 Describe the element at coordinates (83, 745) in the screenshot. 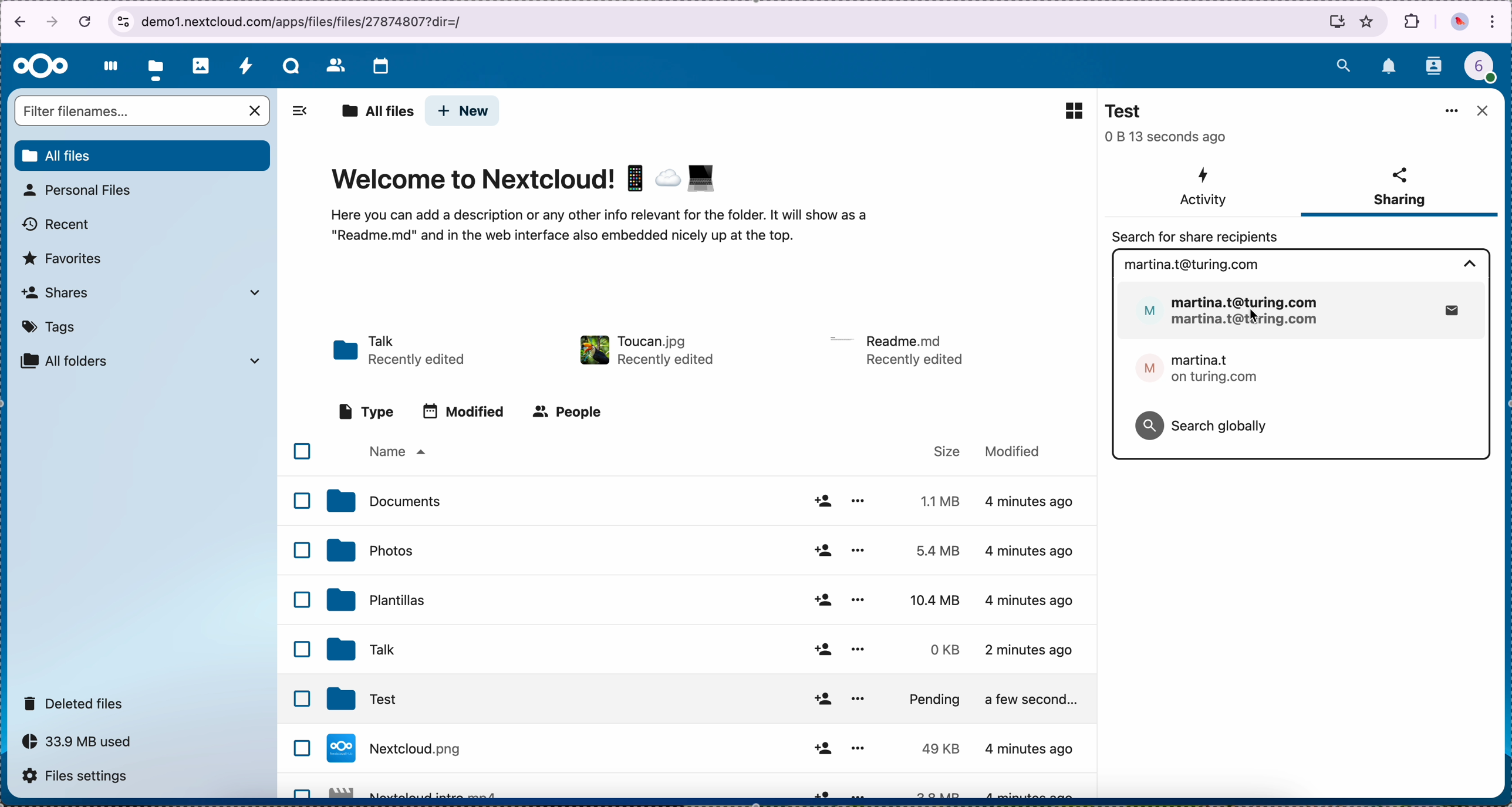

I see `capacity` at that location.